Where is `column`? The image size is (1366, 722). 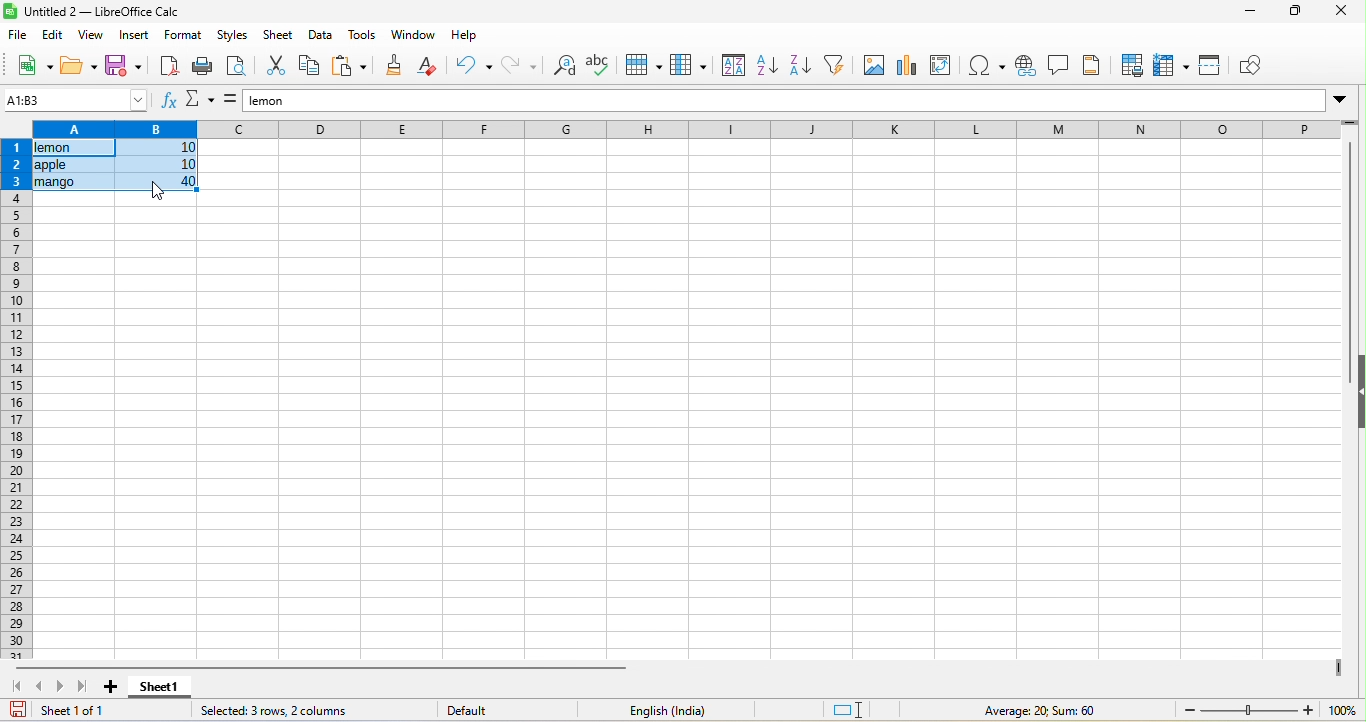
column is located at coordinates (689, 66).